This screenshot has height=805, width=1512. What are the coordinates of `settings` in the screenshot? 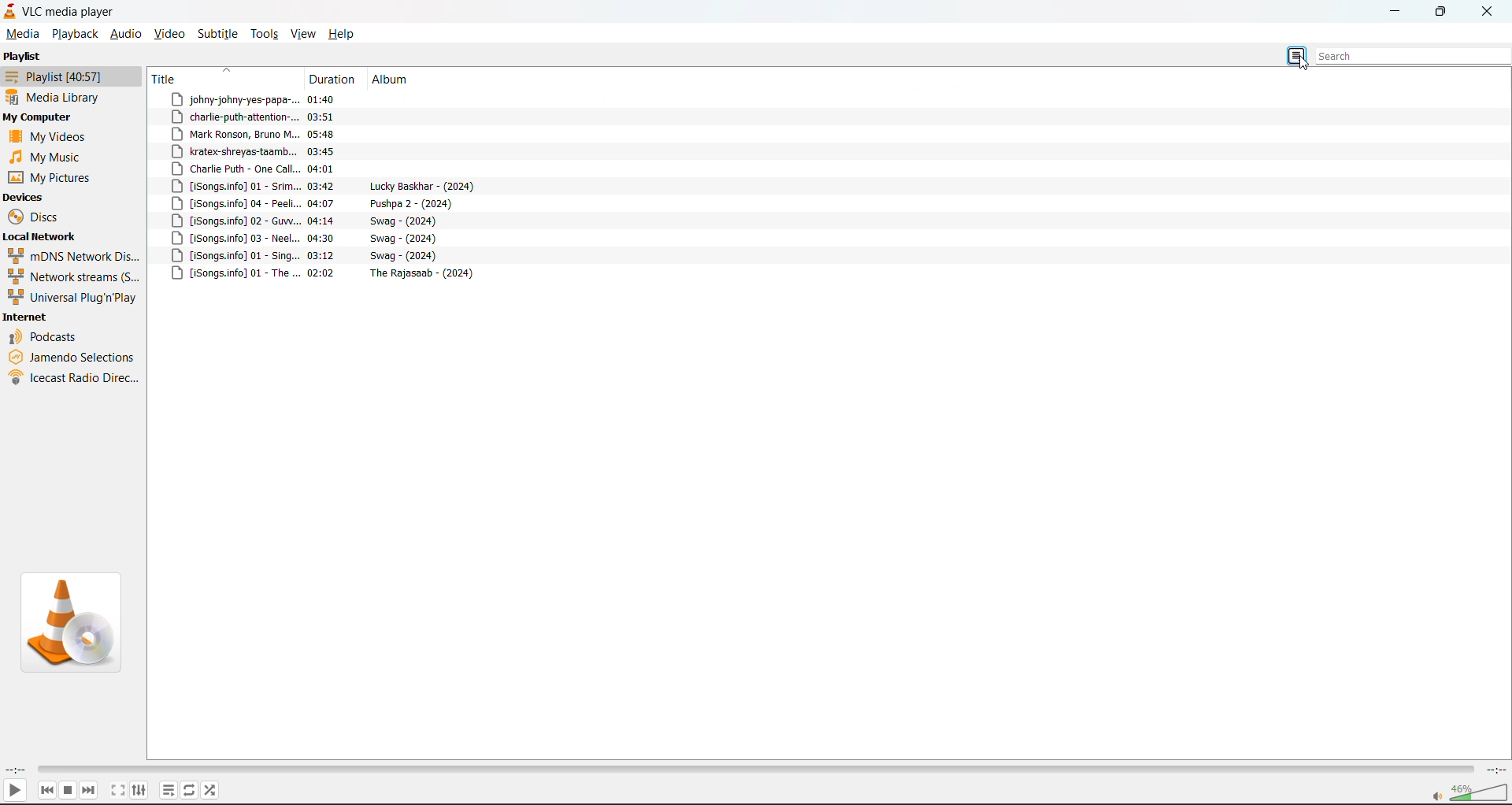 It's located at (137, 790).